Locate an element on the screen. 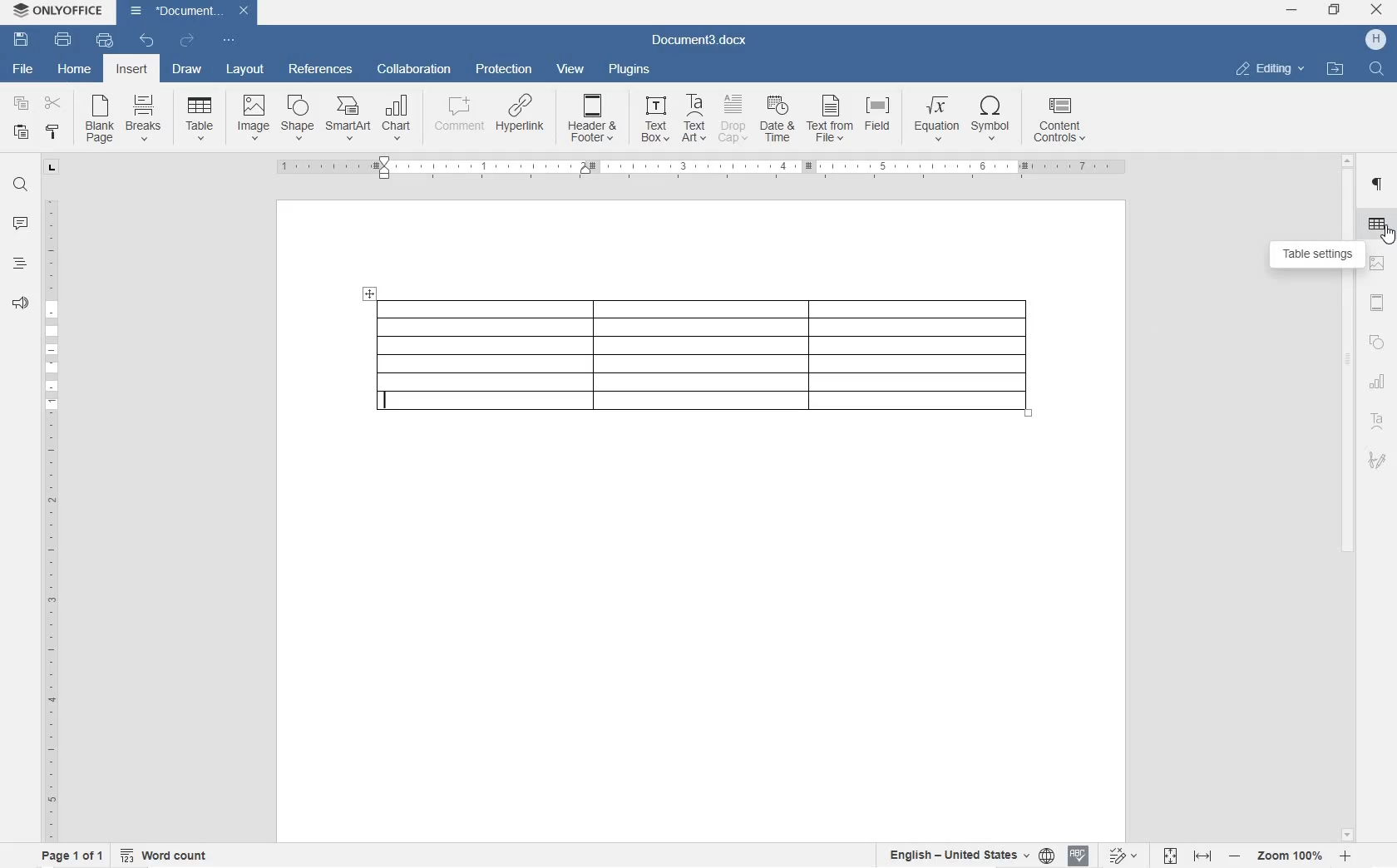 The image size is (1397, 868). TRACK CHANGES is located at coordinates (1119, 856).